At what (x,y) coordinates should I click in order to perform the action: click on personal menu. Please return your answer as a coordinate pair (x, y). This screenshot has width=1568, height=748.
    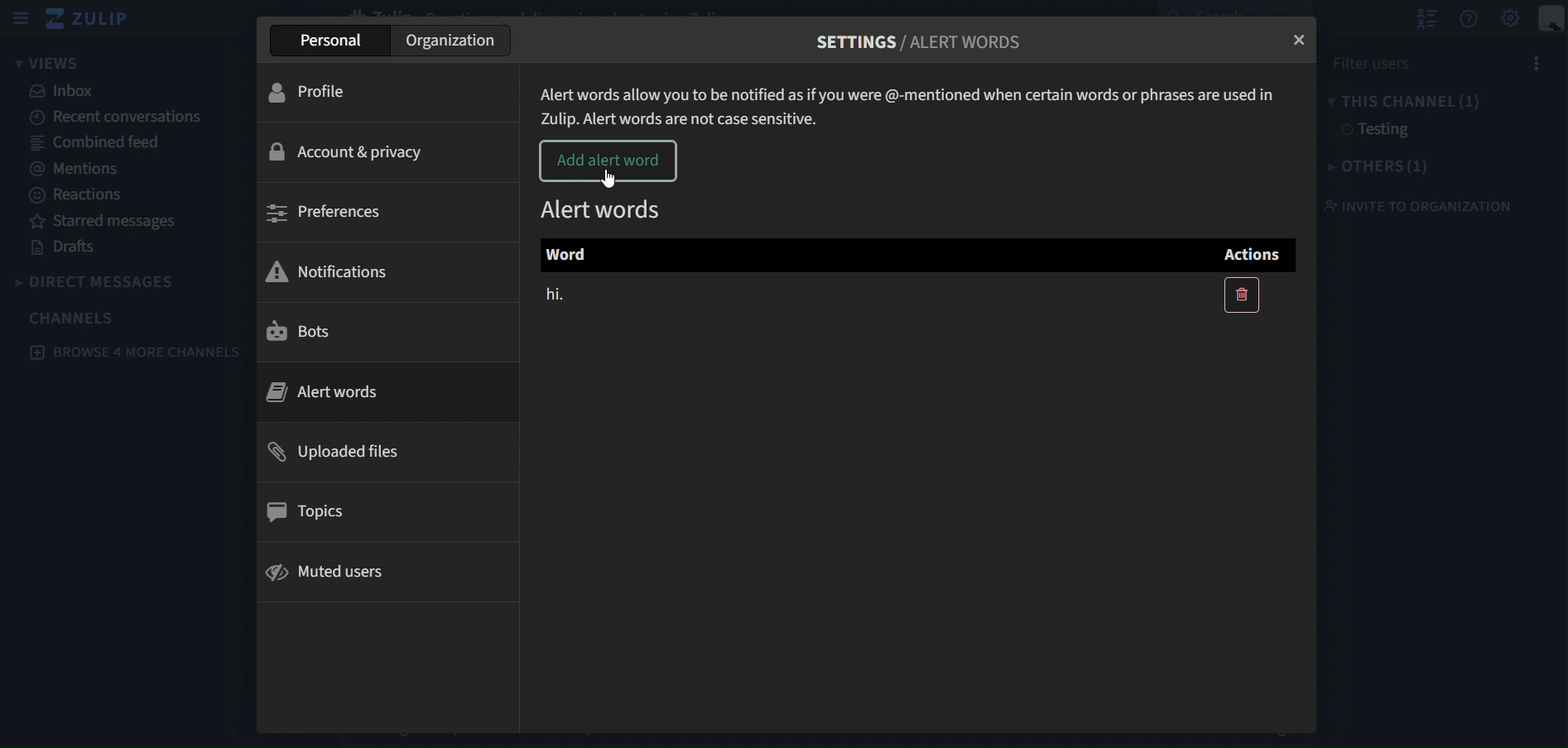
    Looking at the image, I should click on (1551, 18).